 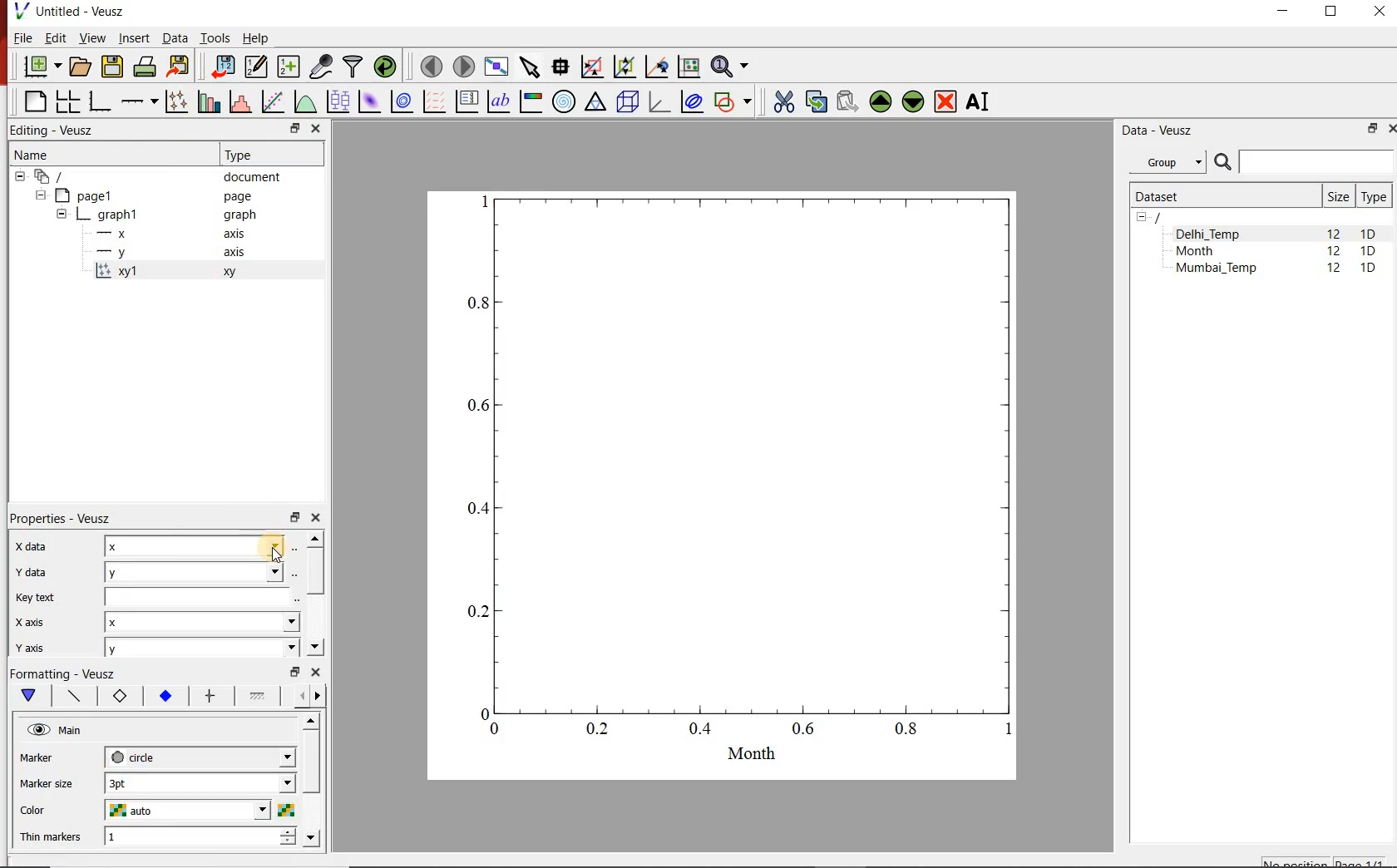 I want to click on Insert, so click(x=133, y=37).